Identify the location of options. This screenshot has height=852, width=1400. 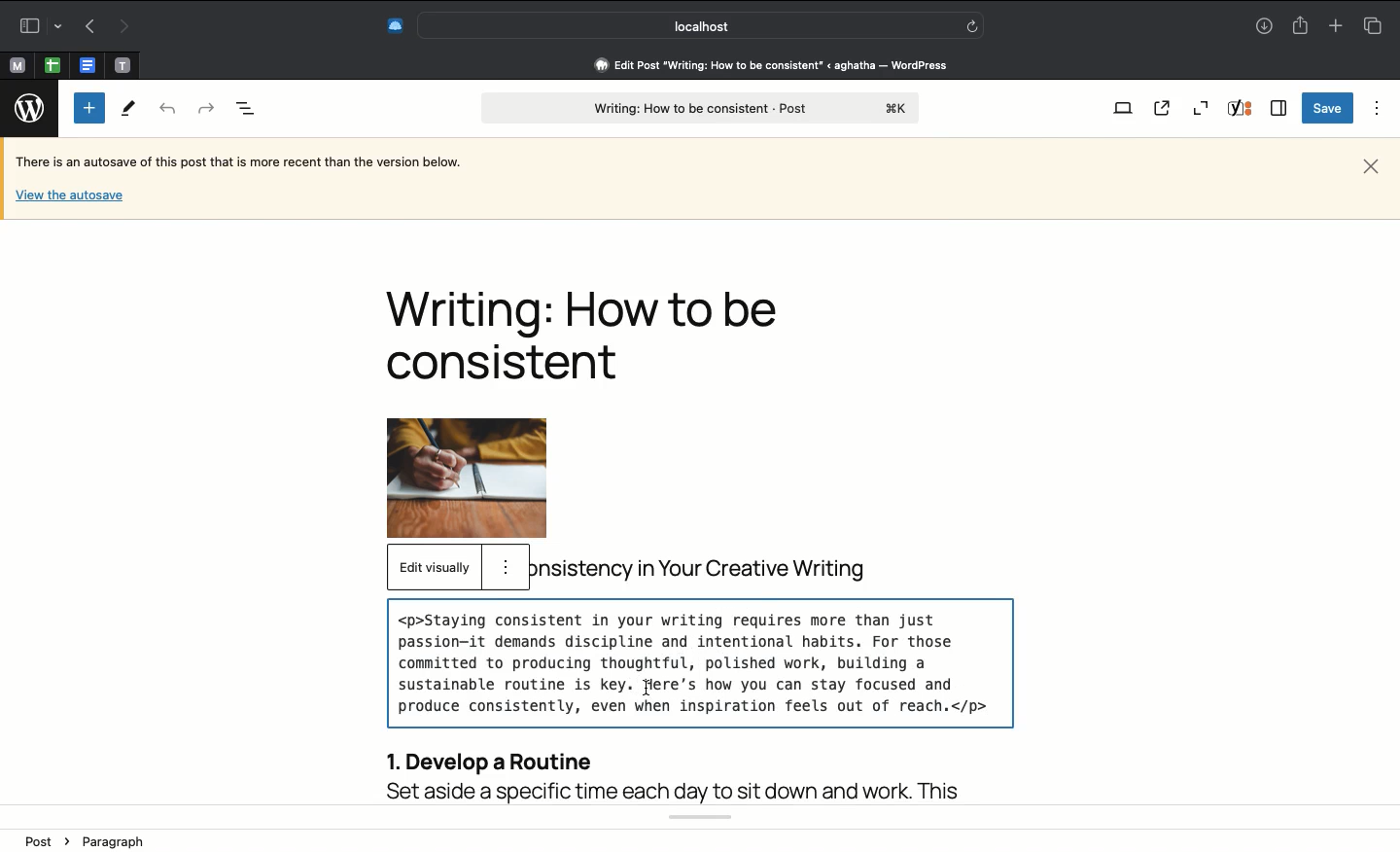
(506, 567).